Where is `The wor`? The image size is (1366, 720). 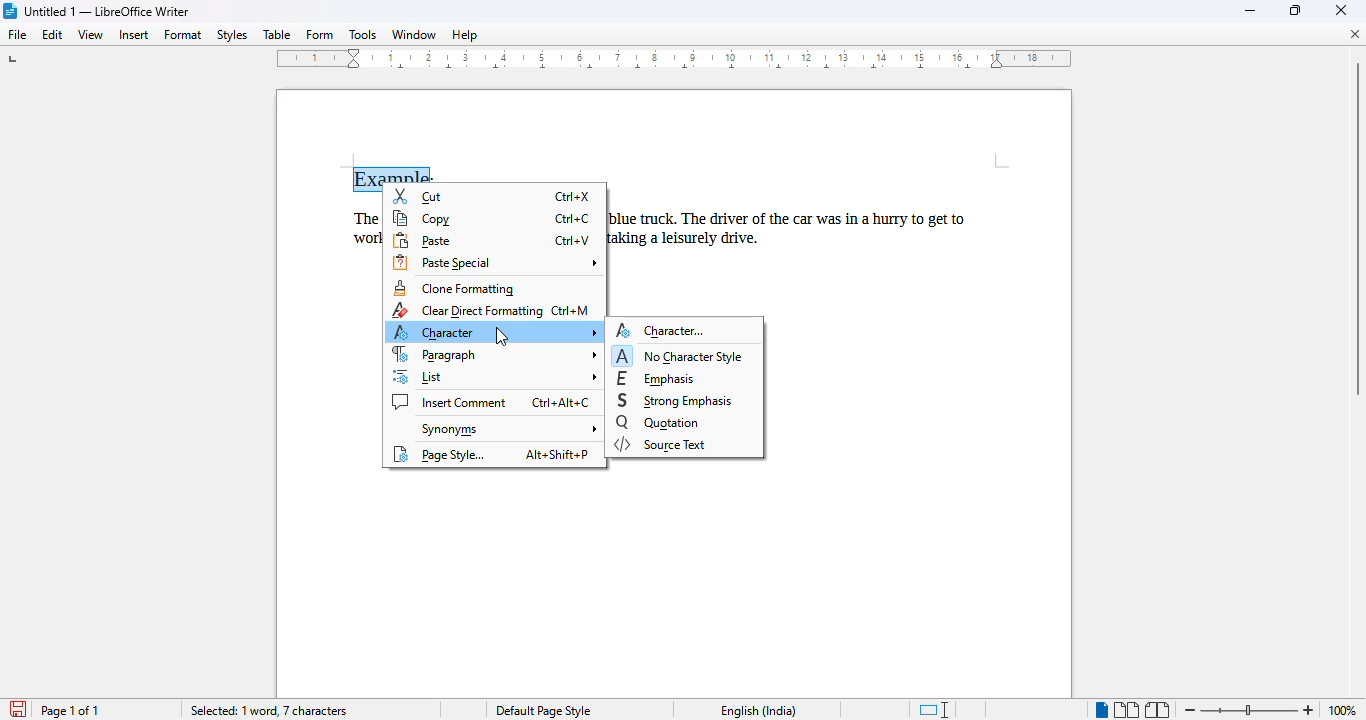
The wor is located at coordinates (356, 227).